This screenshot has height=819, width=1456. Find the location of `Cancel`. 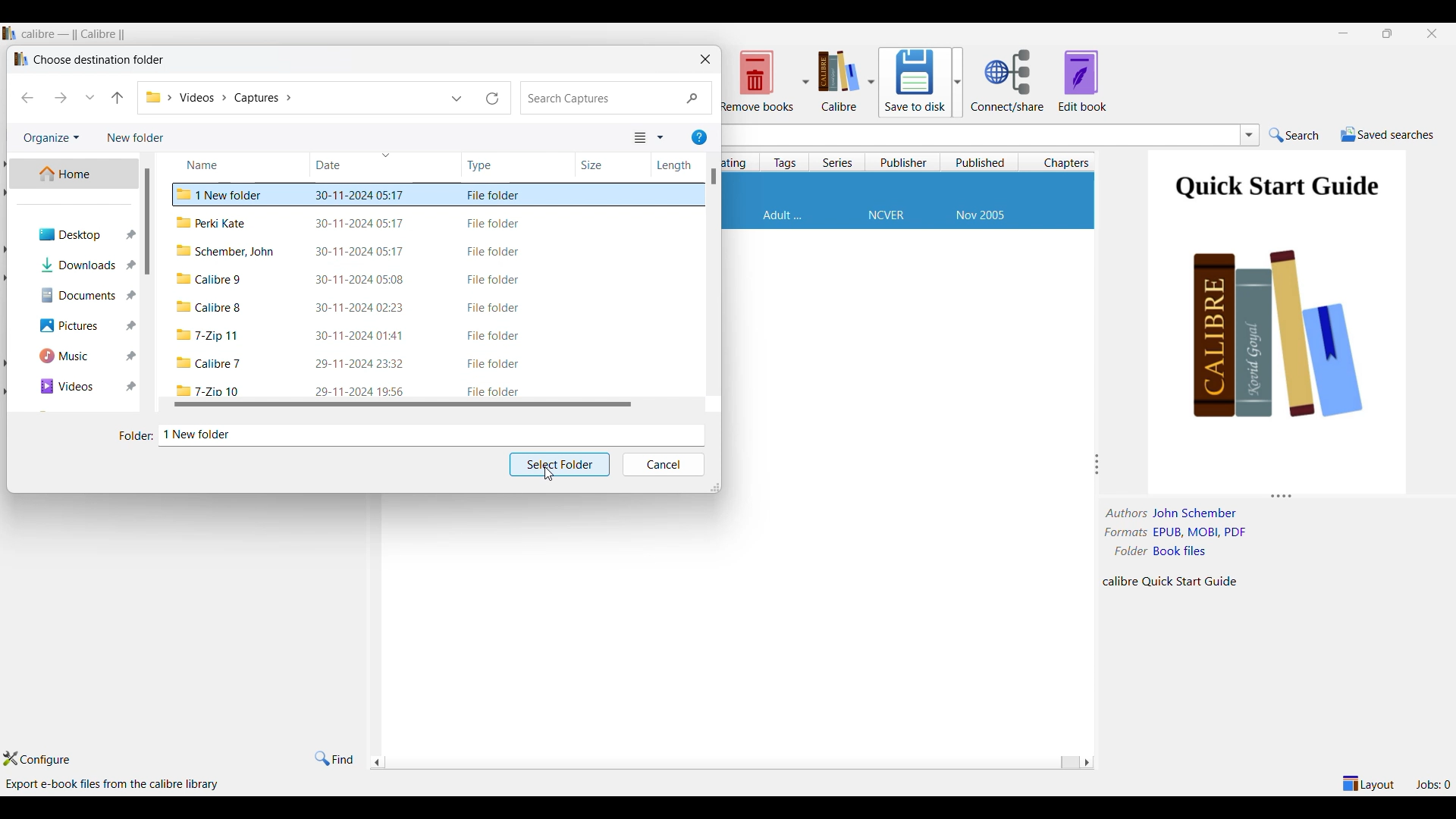

Cancel is located at coordinates (663, 465).